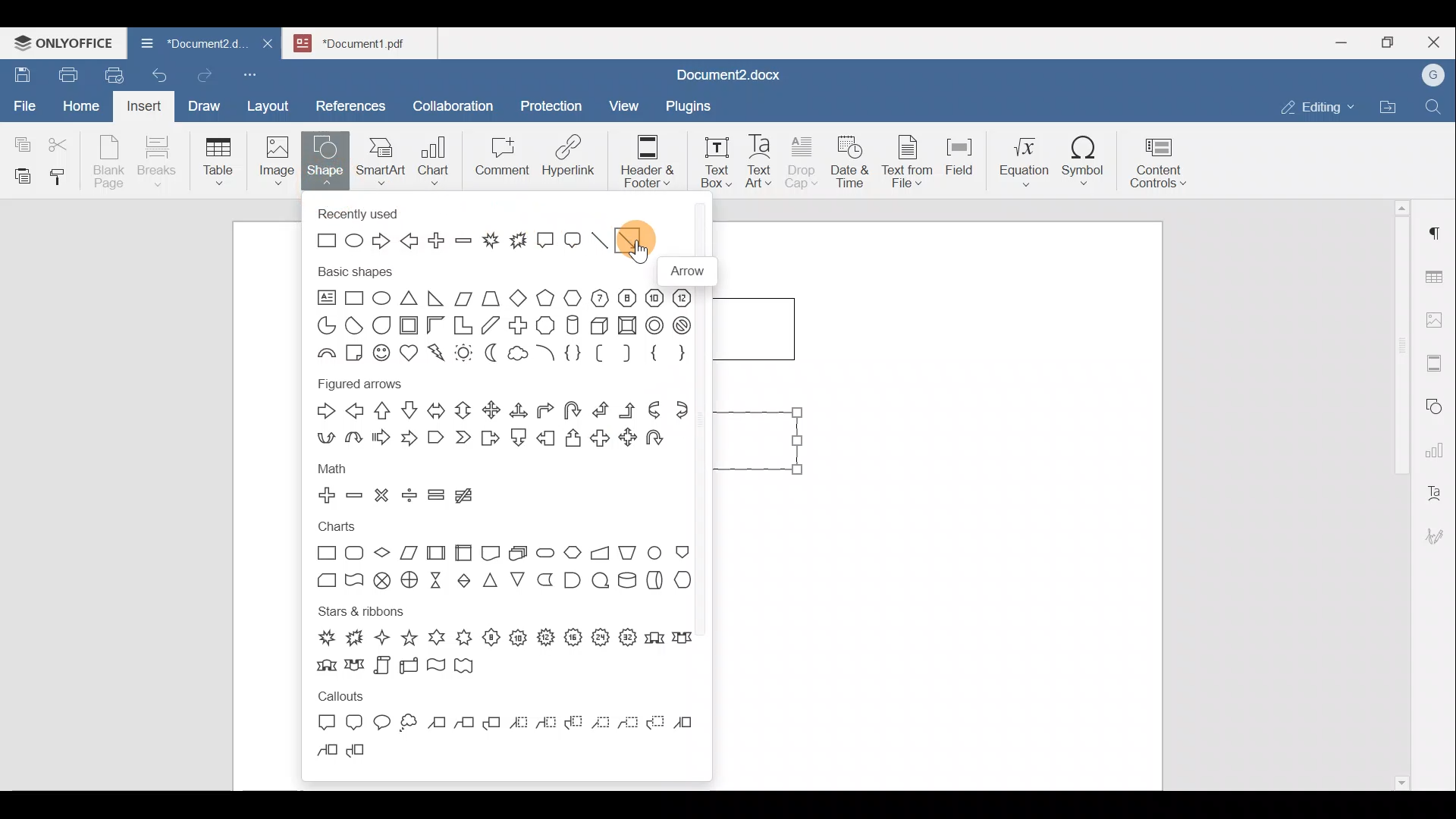 The image size is (1456, 819). Describe the element at coordinates (702, 494) in the screenshot. I see `Scroll bar` at that location.